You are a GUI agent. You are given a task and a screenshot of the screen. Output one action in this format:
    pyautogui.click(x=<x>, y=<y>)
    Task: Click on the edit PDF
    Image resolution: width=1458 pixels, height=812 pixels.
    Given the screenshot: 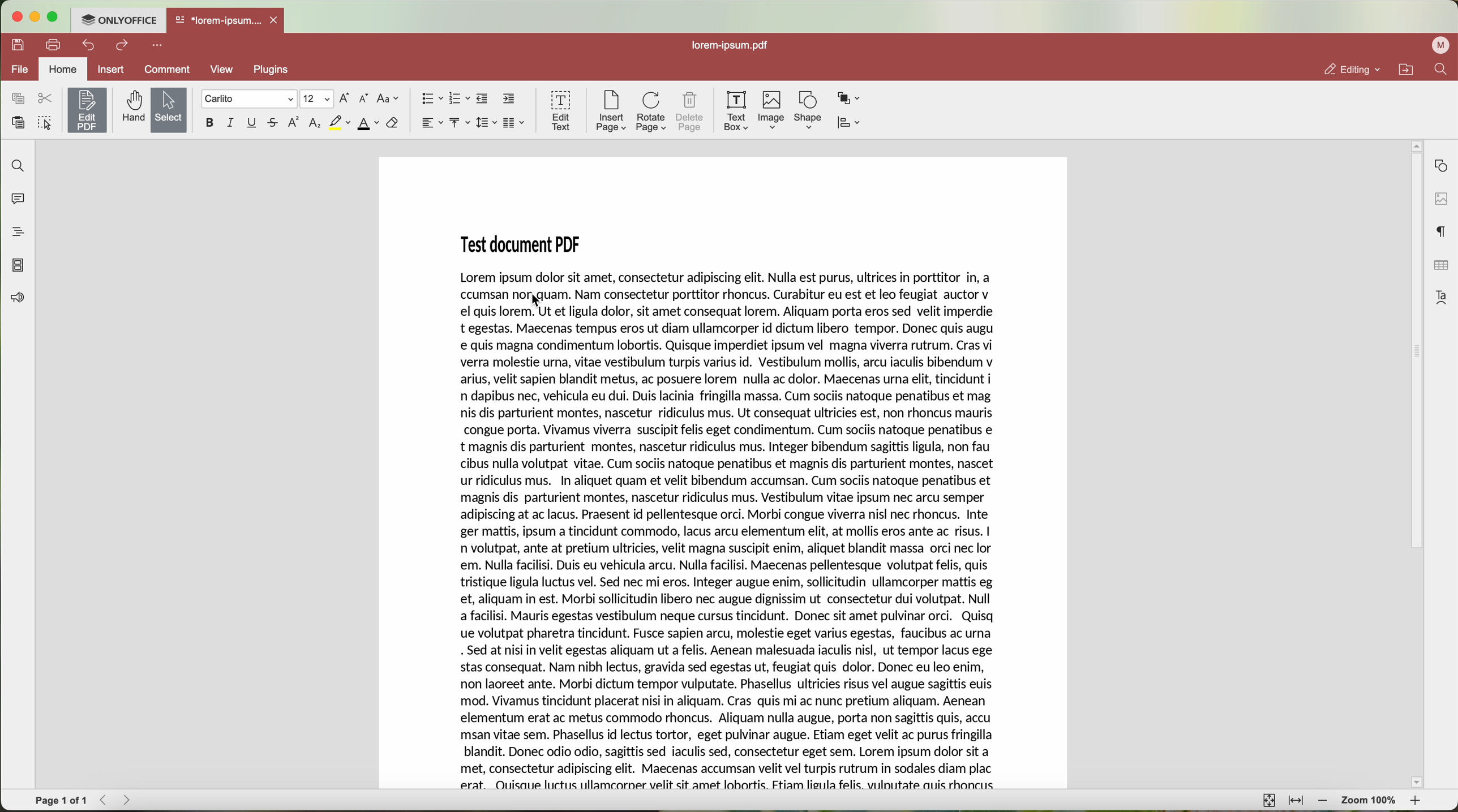 What is the action you would take?
    pyautogui.click(x=87, y=110)
    